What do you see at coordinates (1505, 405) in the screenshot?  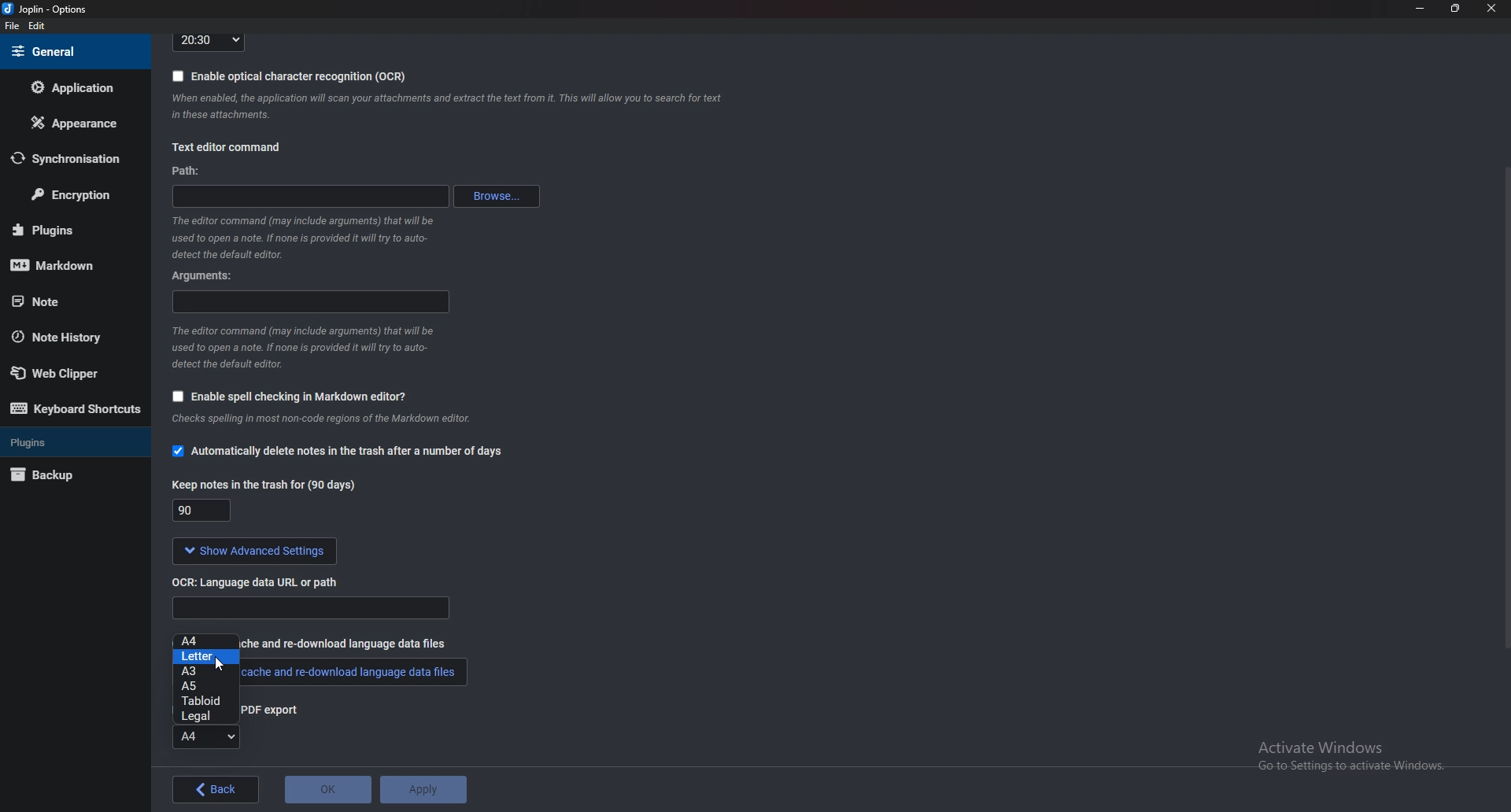 I see `Scroll bar` at bounding box center [1505, 405].